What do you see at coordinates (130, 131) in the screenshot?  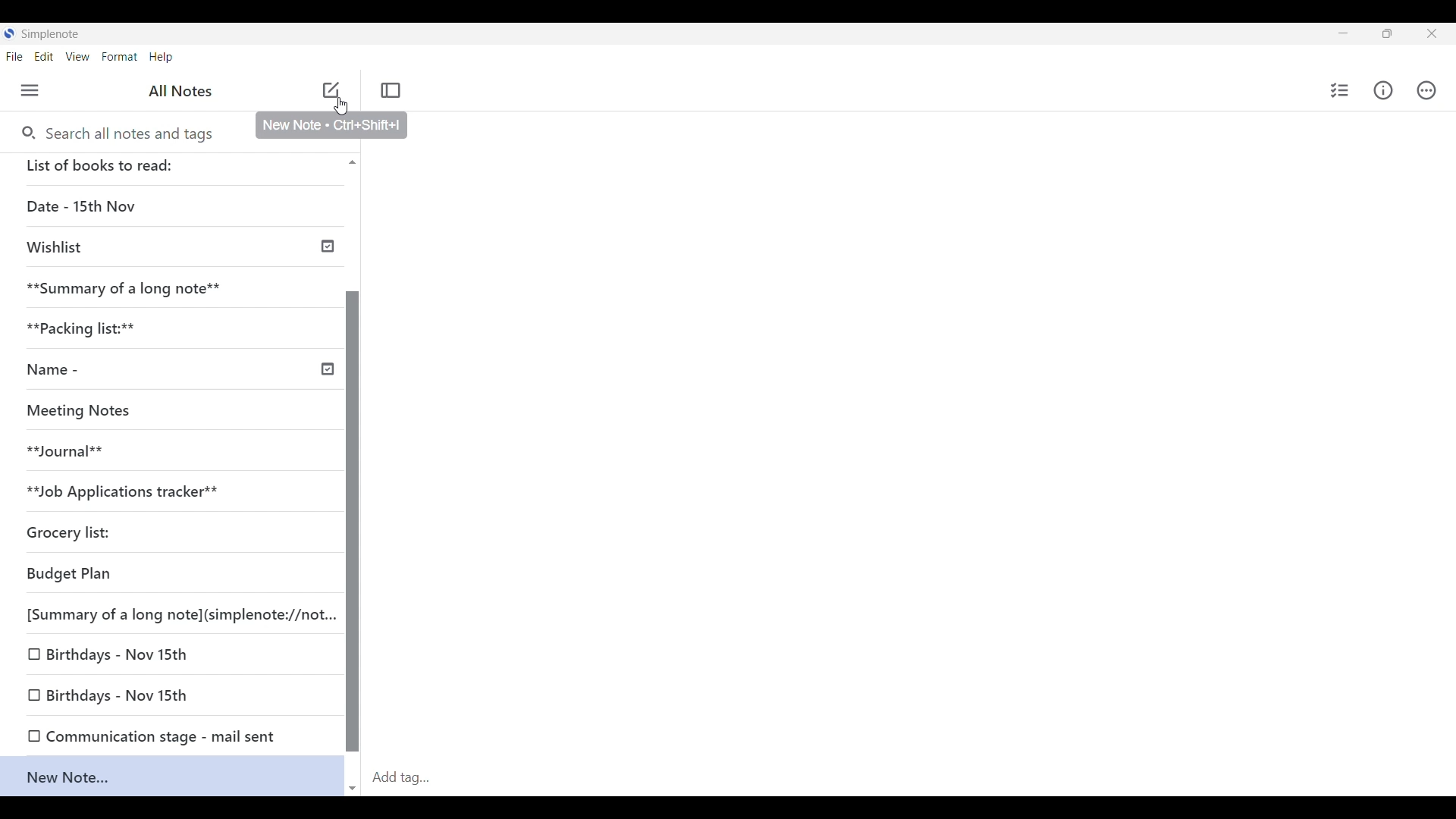 I see `Search all notes and tags` at bounding box center [130, 131].